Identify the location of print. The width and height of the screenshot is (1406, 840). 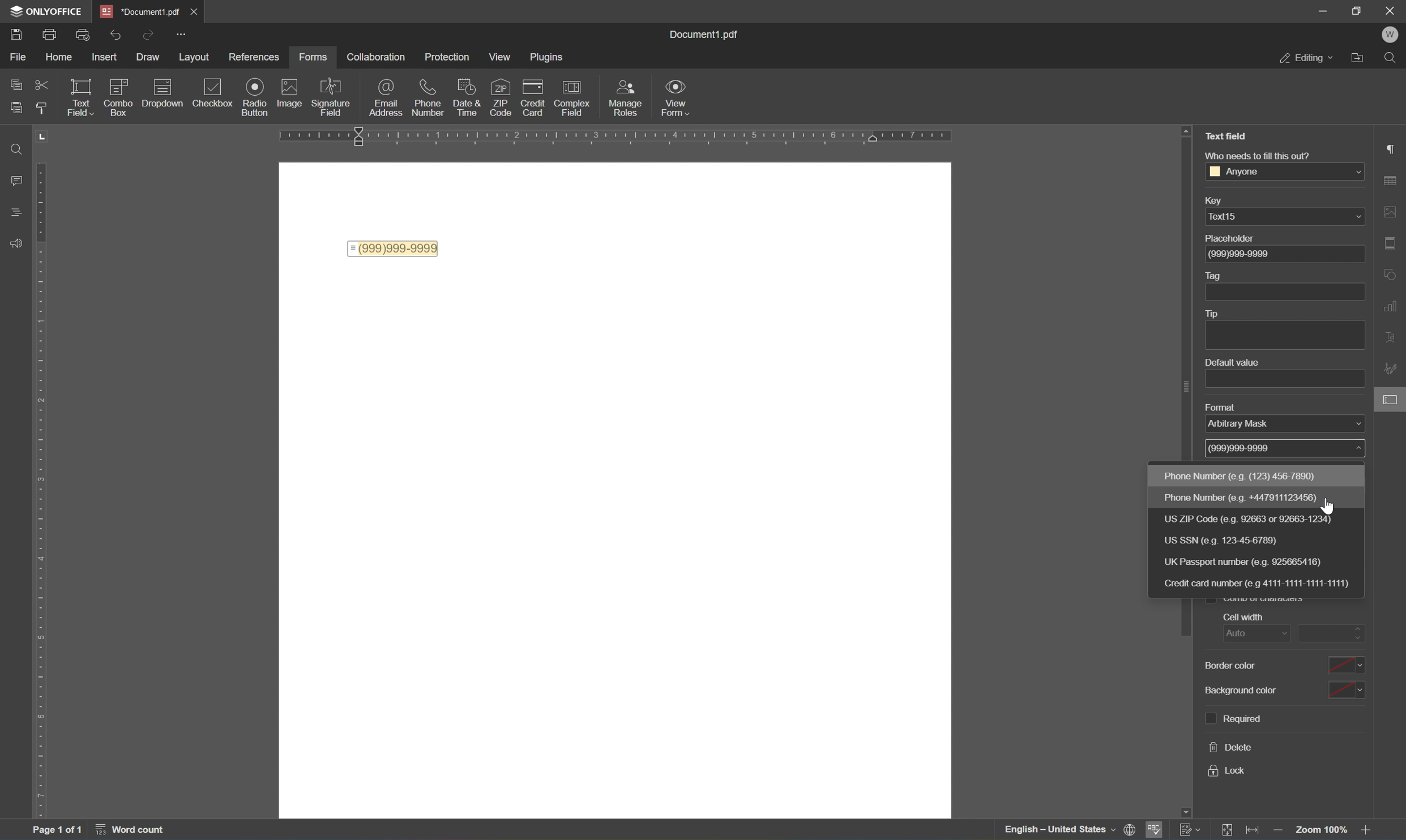
(49, 33).